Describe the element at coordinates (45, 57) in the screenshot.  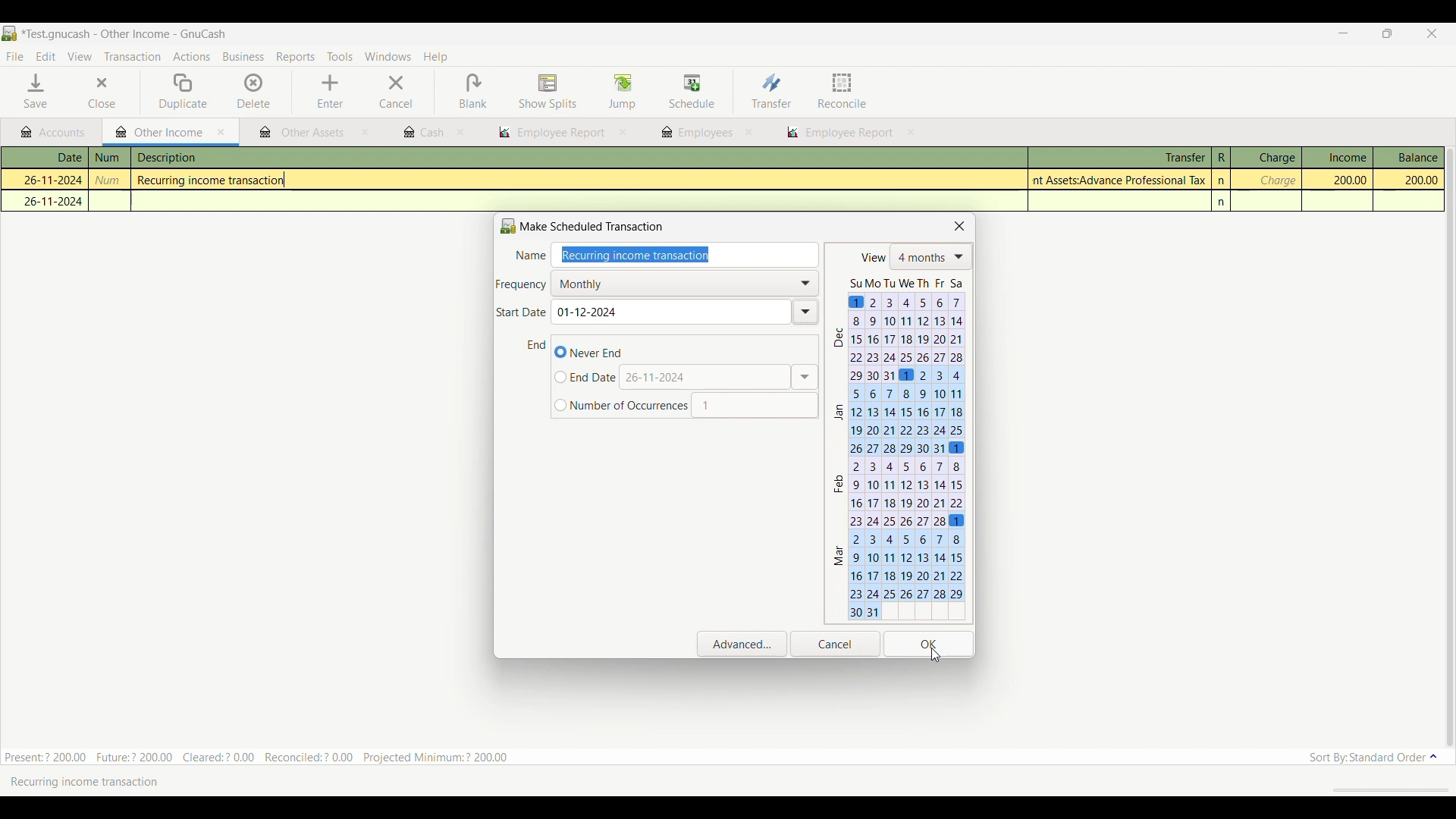
I see `Edit menu` at that location.